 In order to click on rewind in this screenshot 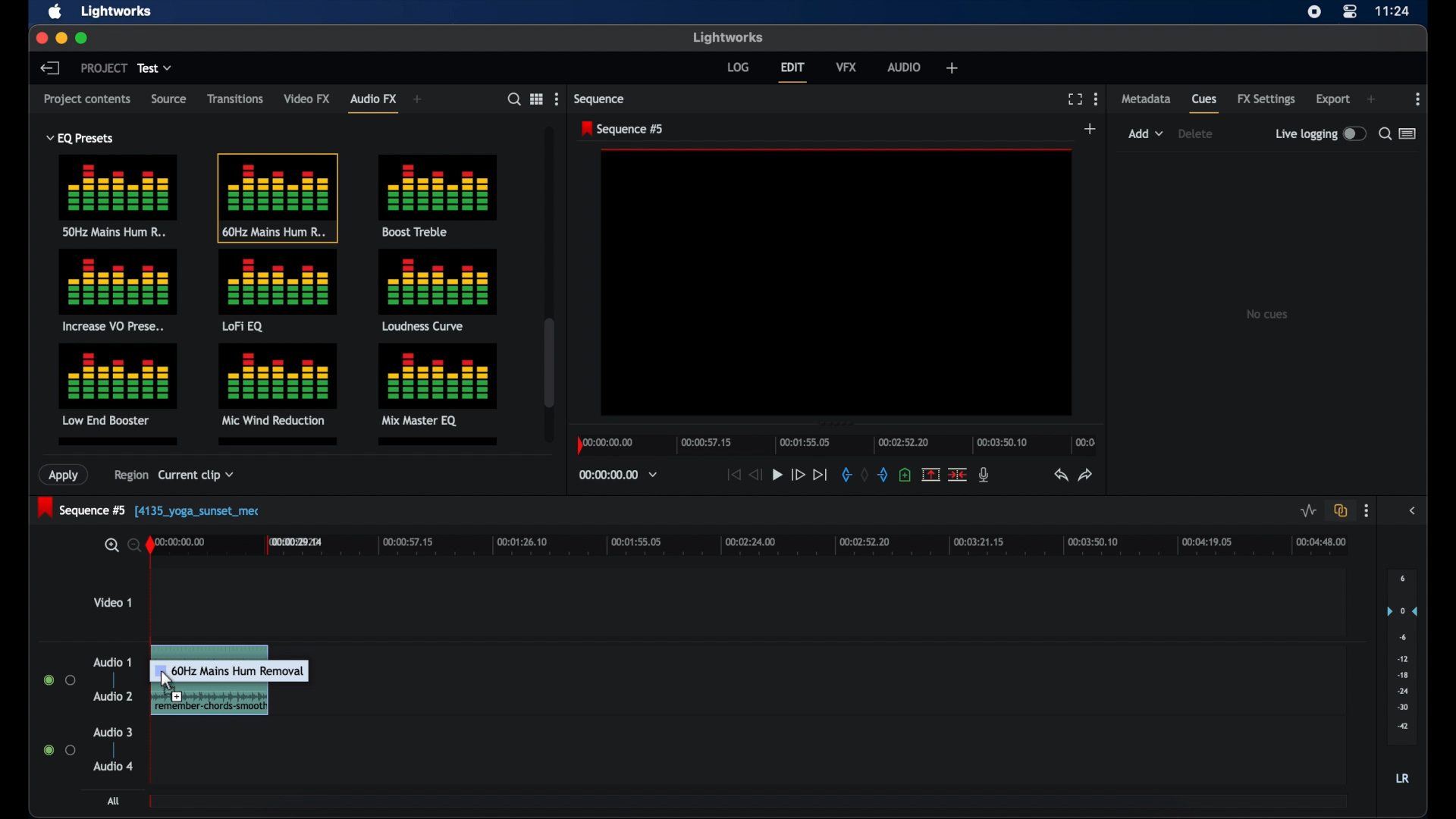, I will do `click(754, 475)`.